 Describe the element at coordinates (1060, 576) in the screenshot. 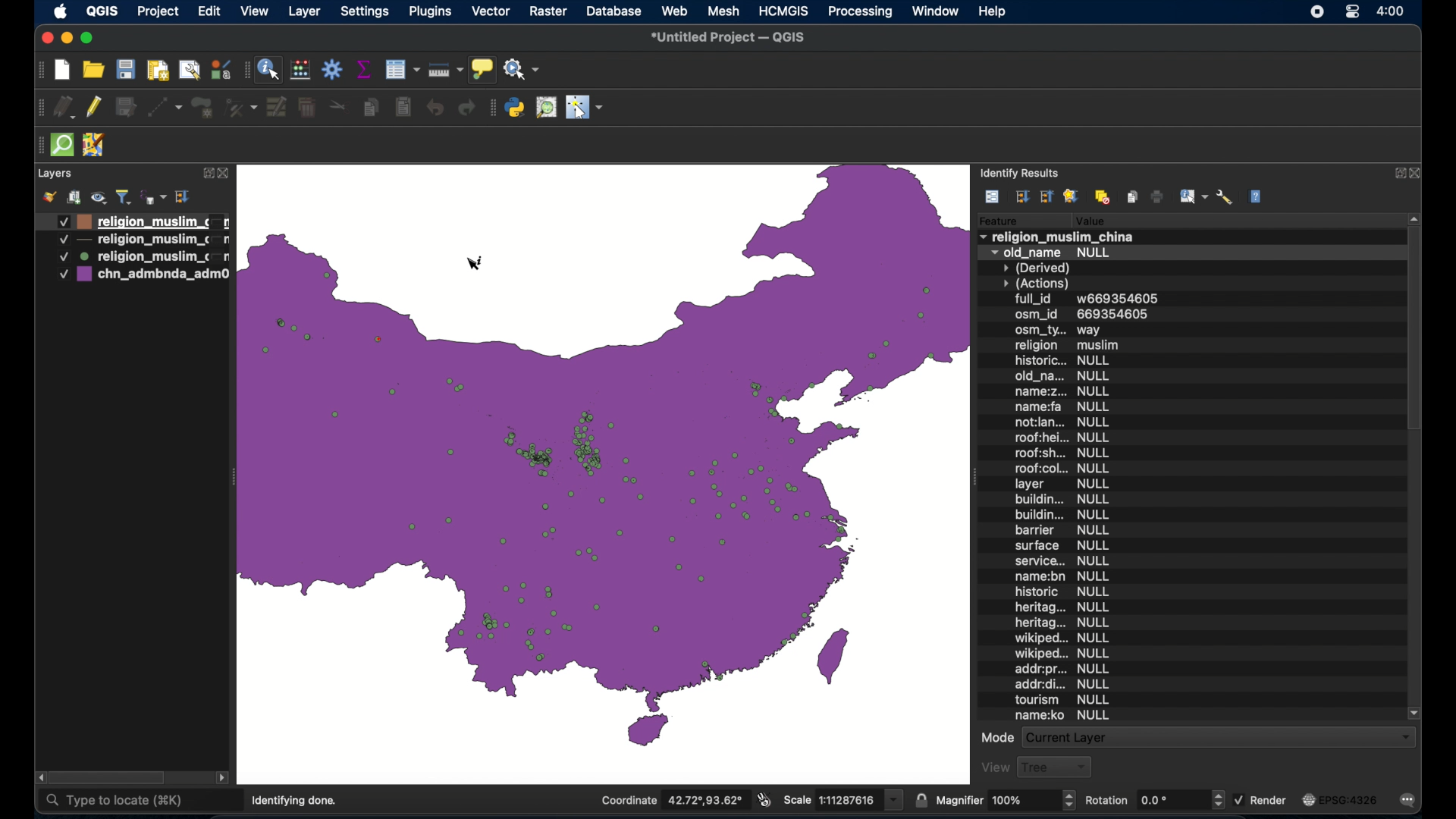

I see `name` at that location.